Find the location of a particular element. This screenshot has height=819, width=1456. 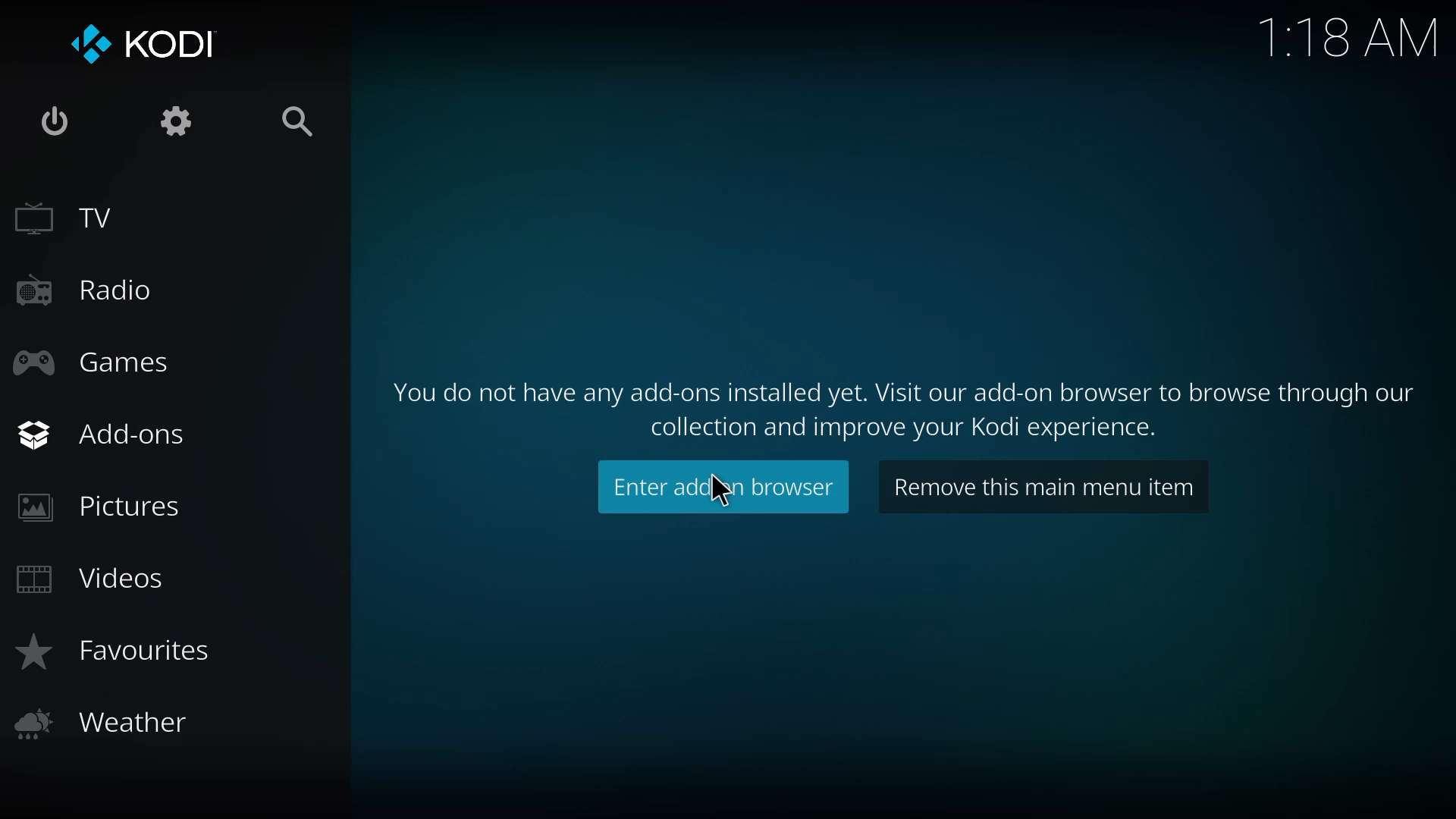

tv is located at coordinates (67, 218).